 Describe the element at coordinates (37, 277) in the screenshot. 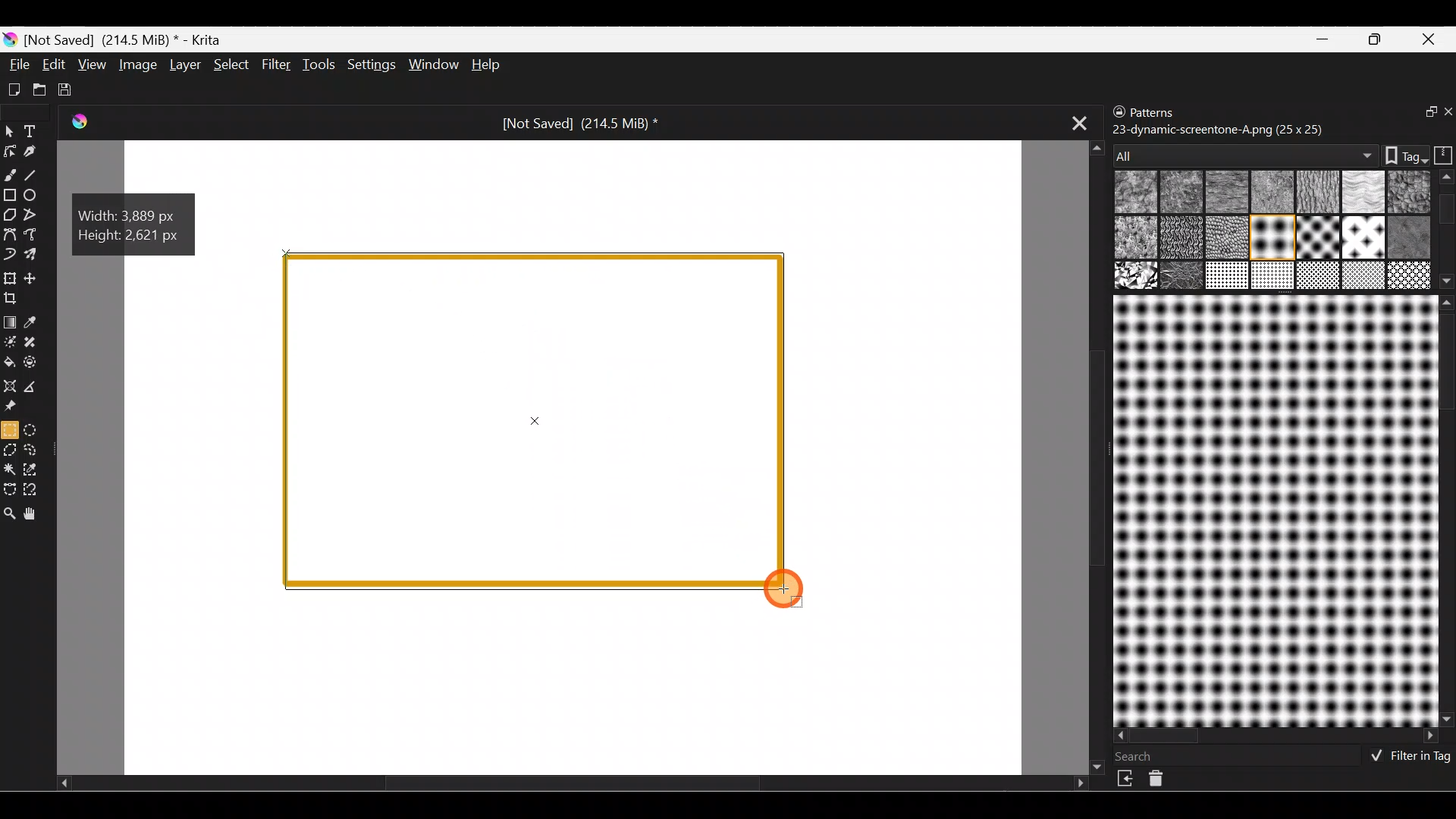

I see `Move a layer` at that location.